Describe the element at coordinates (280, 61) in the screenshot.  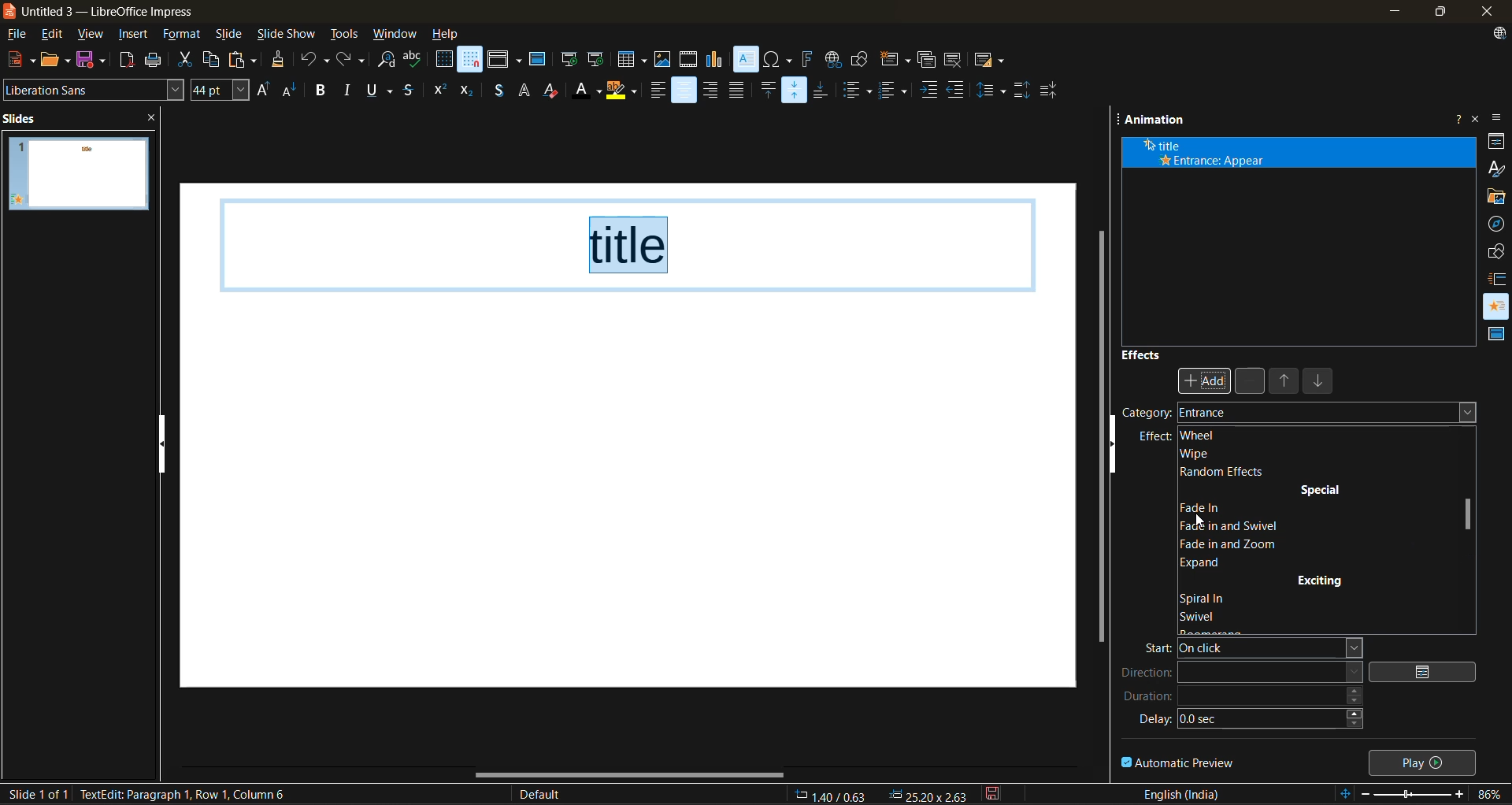
I see `clone formatting` at that location.